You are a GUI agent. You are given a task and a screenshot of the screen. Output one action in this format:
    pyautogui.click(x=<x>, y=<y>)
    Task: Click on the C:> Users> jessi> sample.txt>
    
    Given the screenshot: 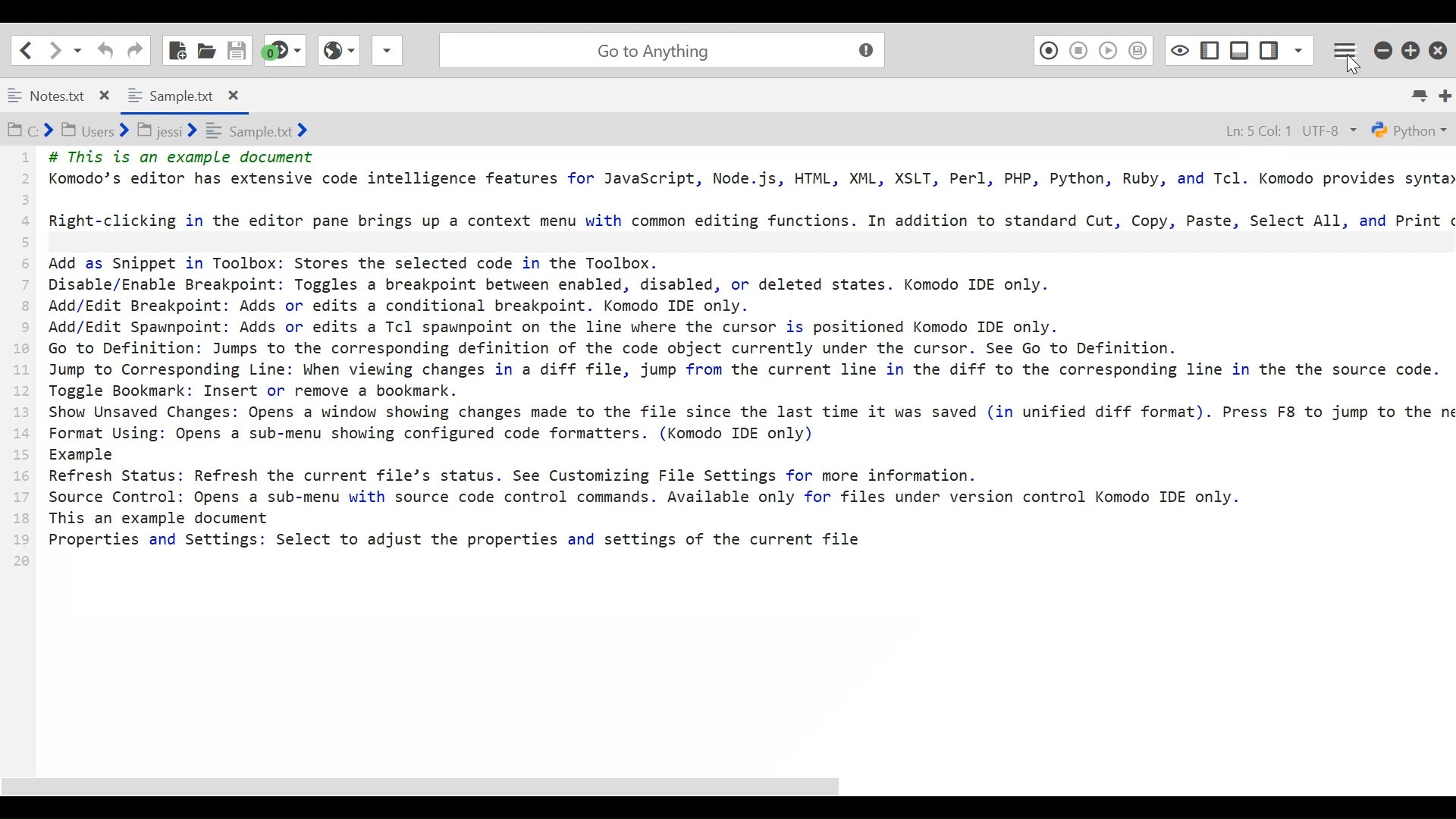 What is the action you would take?
    pyautogui.click(x=178, y=131)
    